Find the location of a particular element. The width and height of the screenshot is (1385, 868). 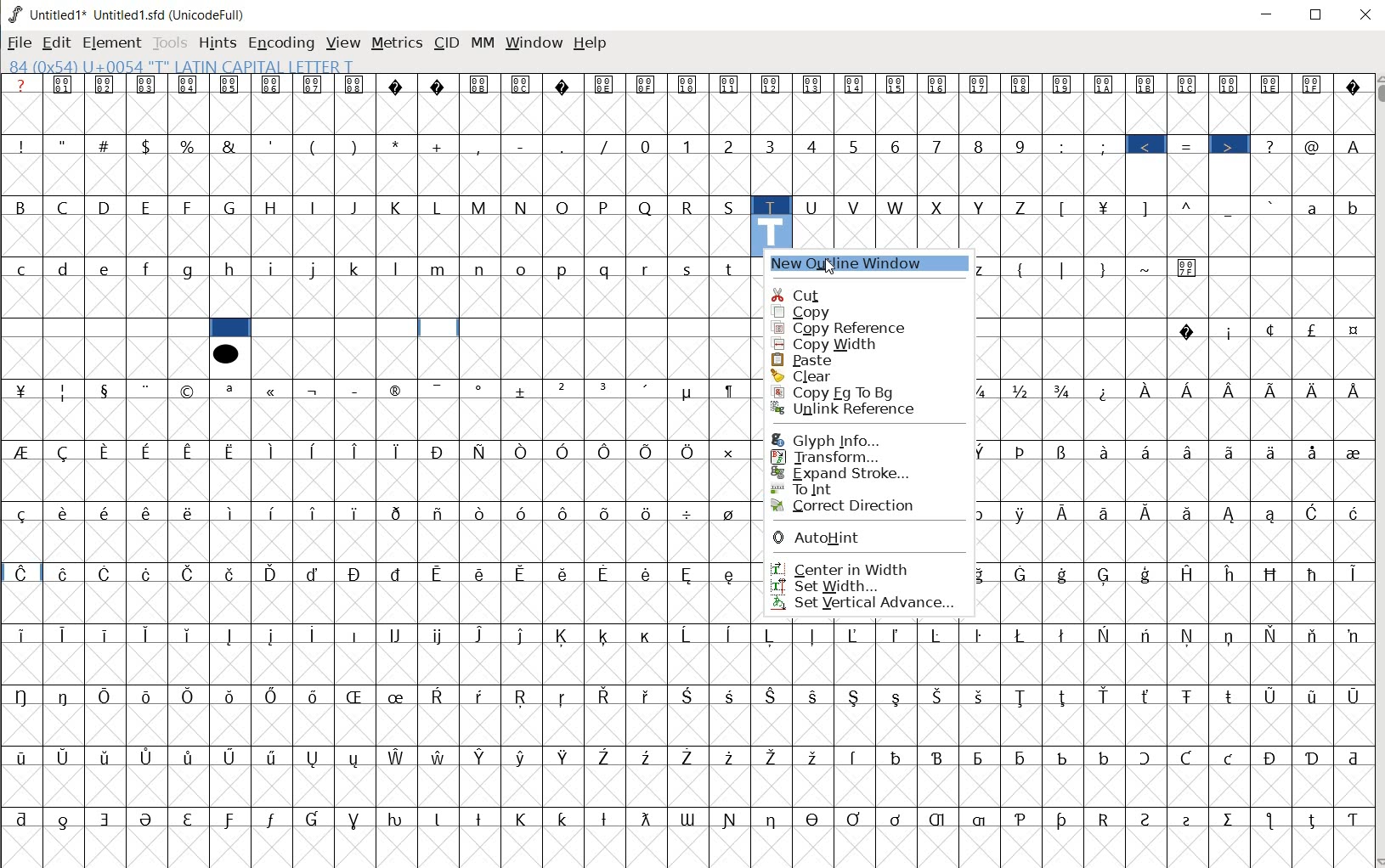

Symbol is located at coordinates (1189, 84).